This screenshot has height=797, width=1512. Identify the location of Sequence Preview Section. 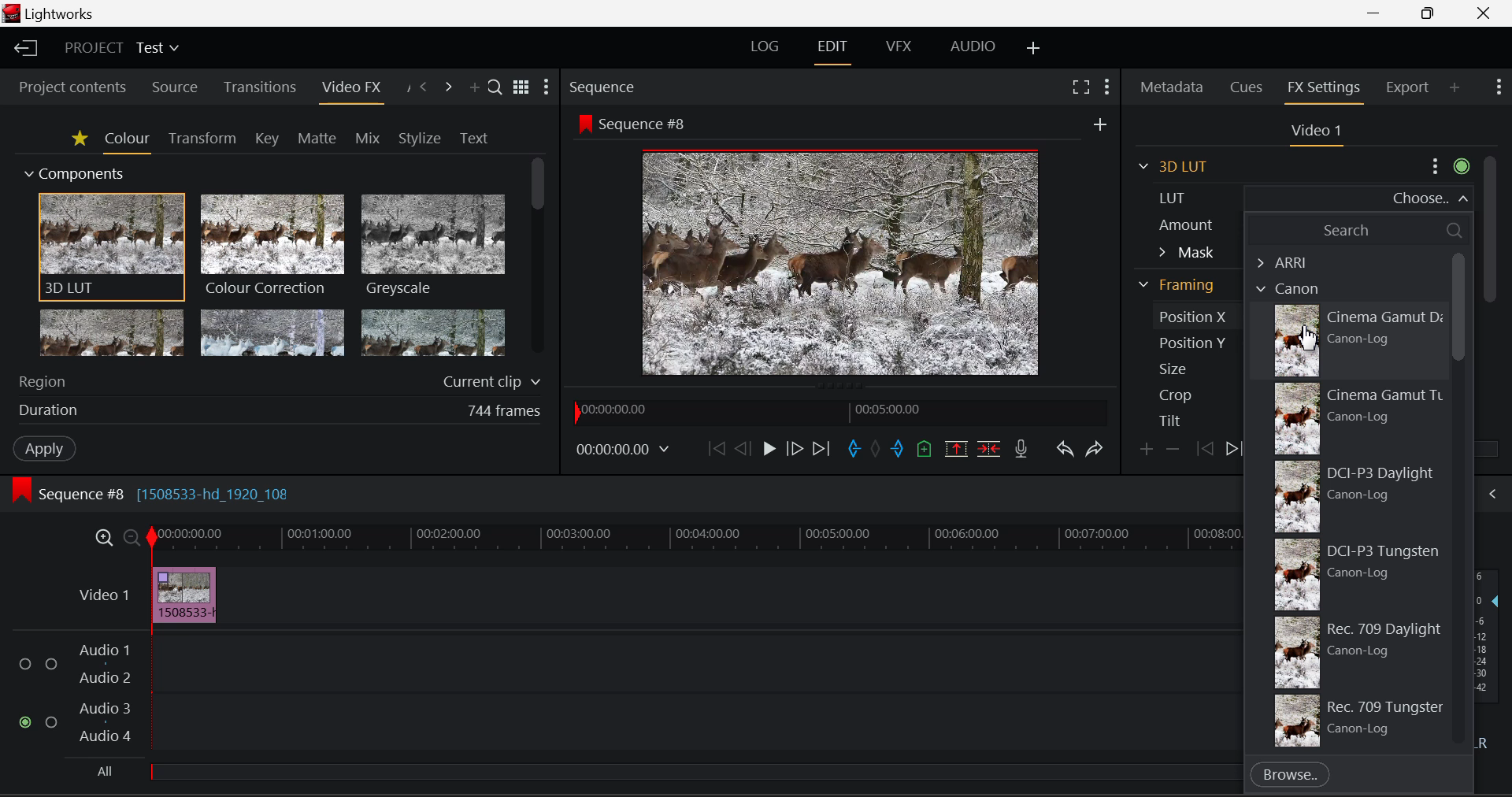
(603, 87).